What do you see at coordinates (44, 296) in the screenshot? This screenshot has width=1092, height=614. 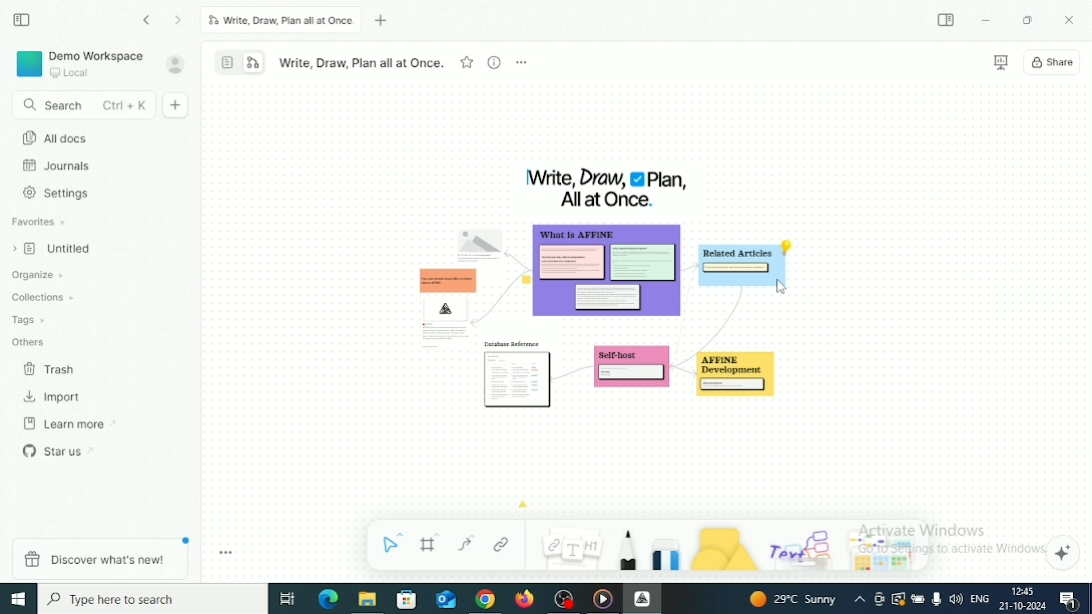 I see `Collections` at bounding box center [44, 296].